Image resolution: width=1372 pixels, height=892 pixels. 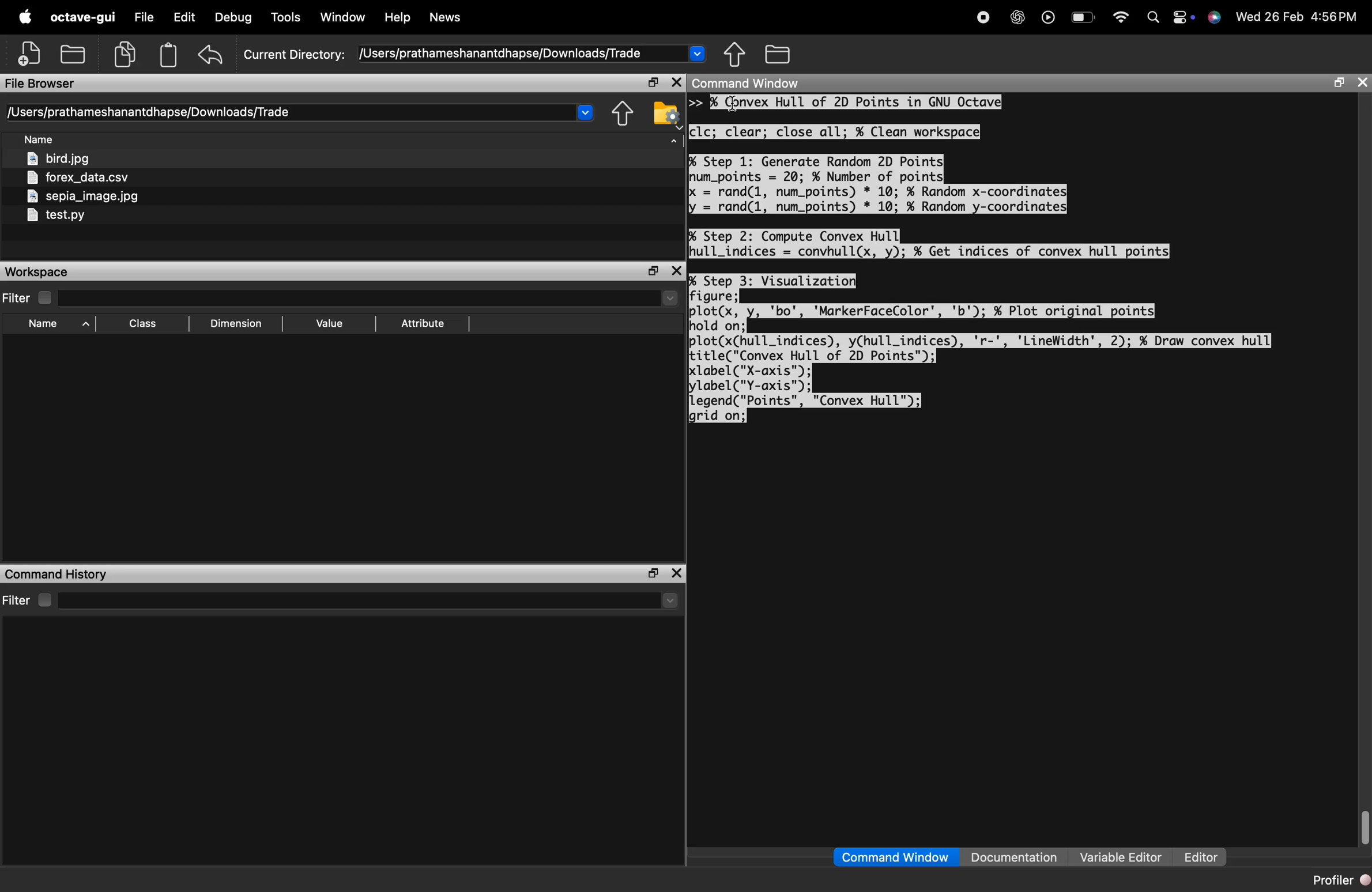 I want to click on separate the window, so click(x=654, y=574).